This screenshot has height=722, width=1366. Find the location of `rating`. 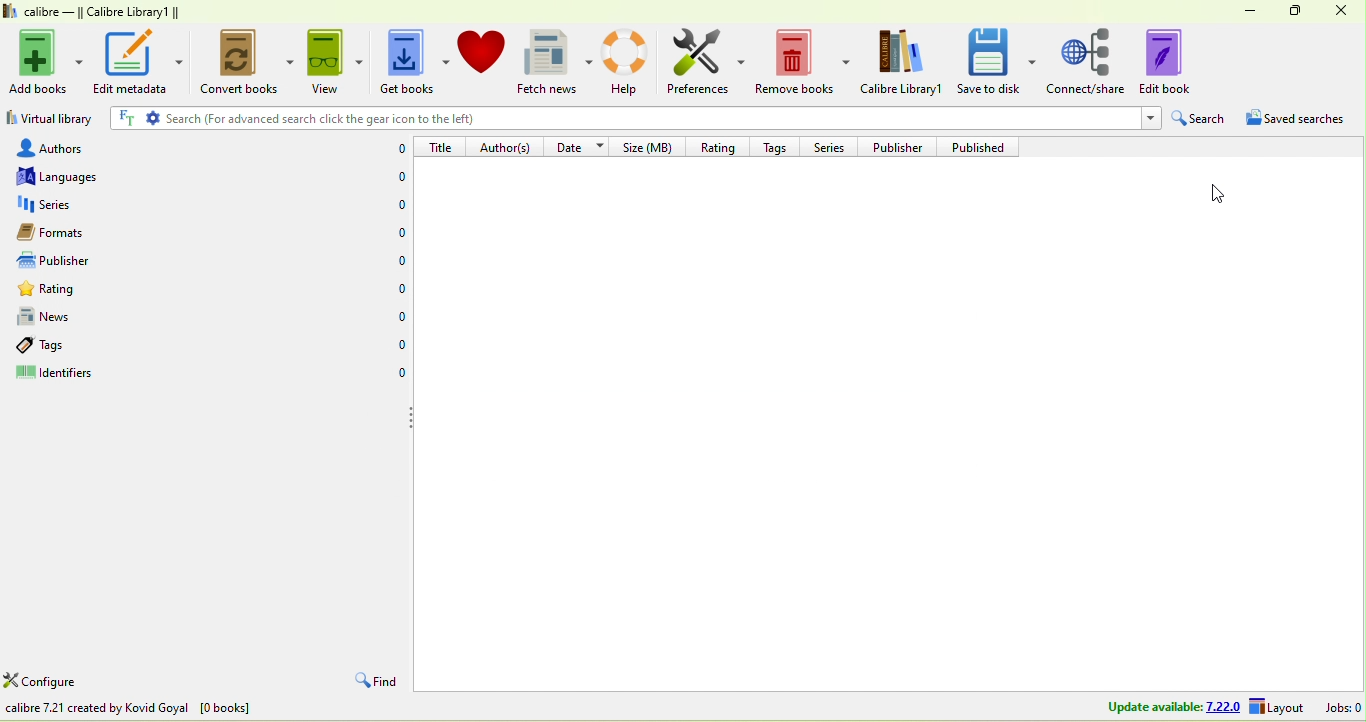

rating is located at coordinates (89, 292).